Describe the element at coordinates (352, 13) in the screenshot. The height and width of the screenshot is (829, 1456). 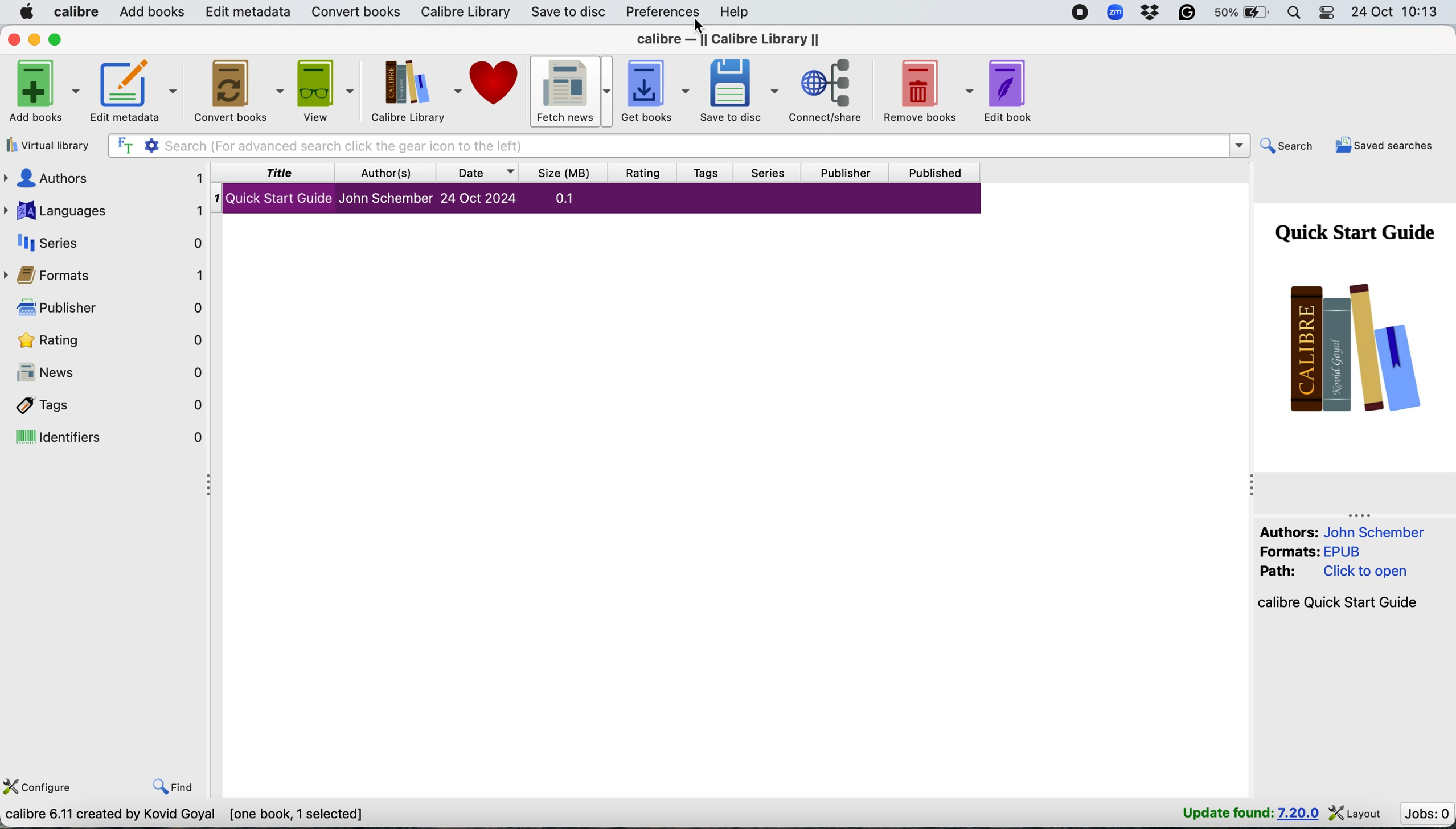
I see `convert books` at that location.